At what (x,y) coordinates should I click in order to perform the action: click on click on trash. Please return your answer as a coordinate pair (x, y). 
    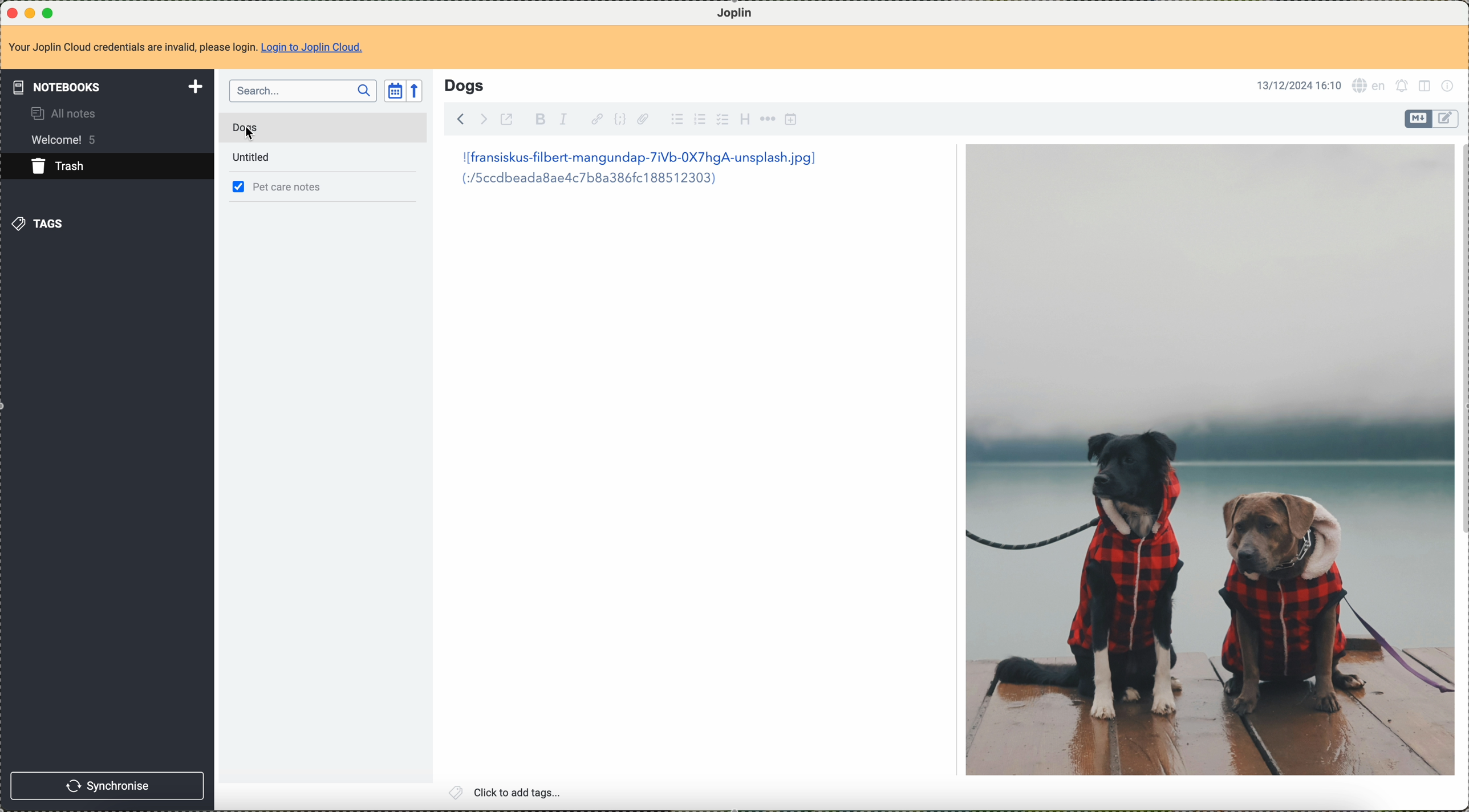
    Looking at the image, I should click on (89, 170).